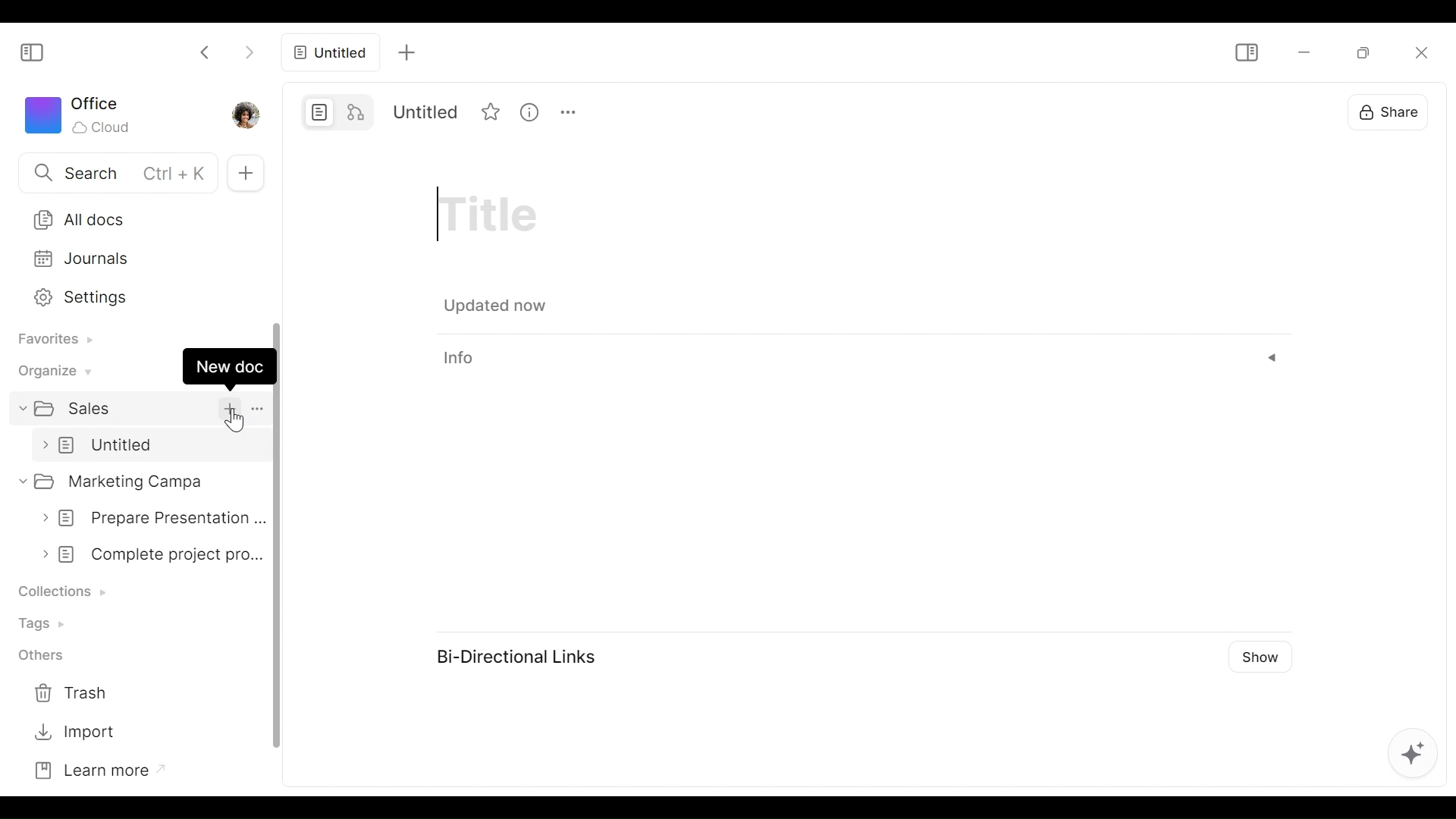  I want to click on Workspace, so click(81, 115).